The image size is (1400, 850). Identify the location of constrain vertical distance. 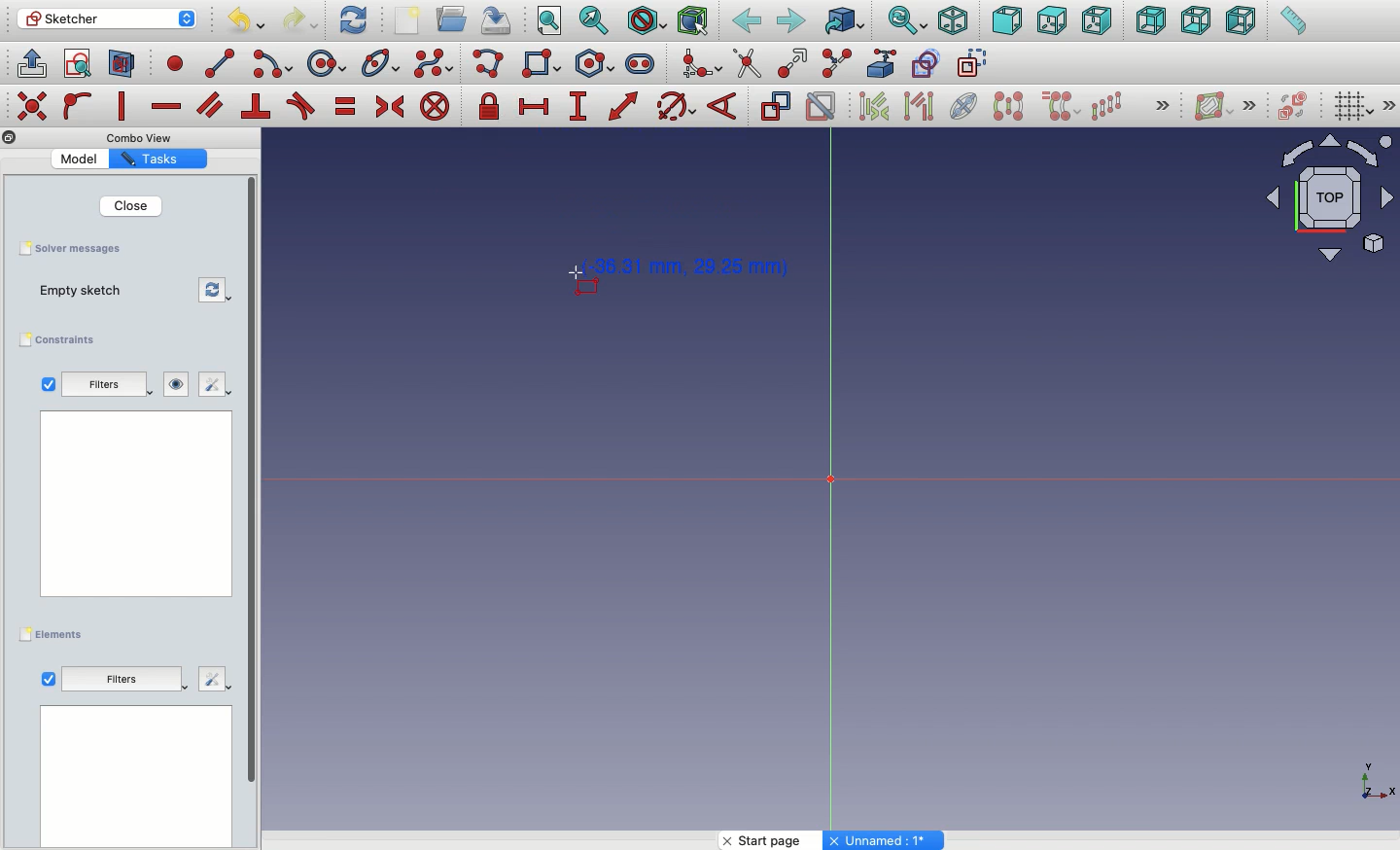
(581, 108).